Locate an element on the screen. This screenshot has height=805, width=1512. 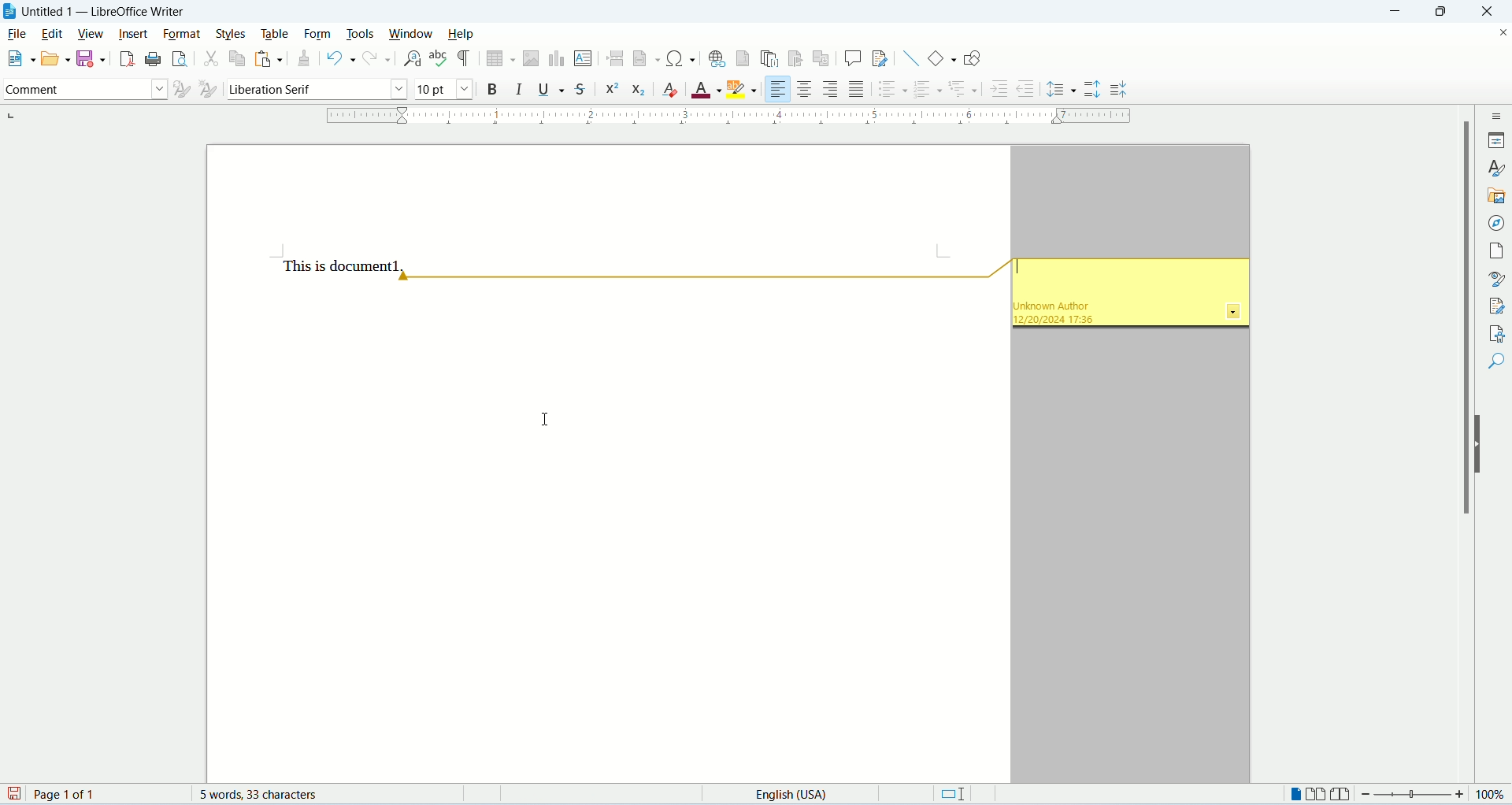
save is located at coordinates (90, 57).